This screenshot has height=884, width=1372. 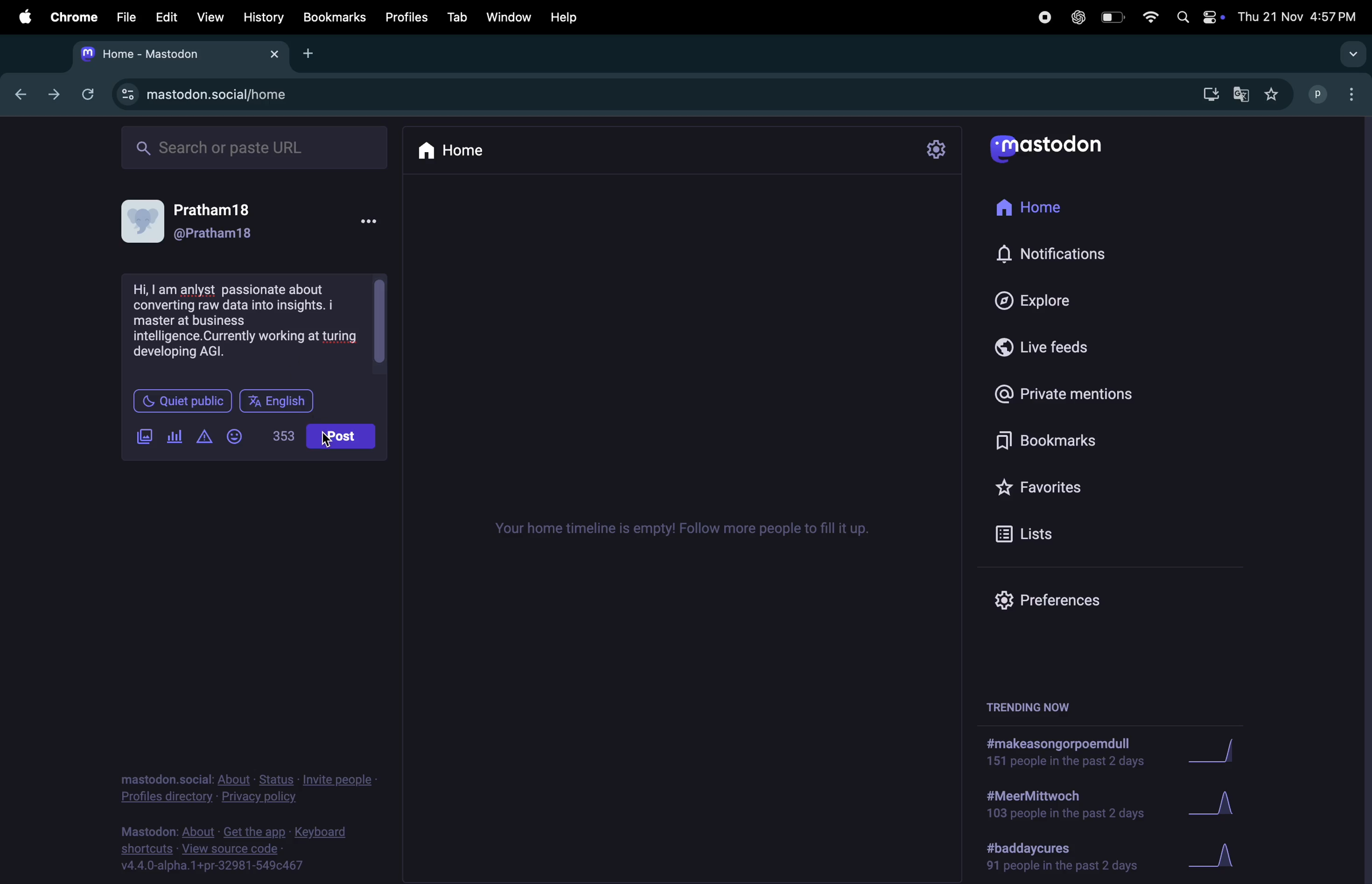 What do you see at coordinates (1205, 96) in the screenshot?
I see `down load` at bounding box center [1205, 96].